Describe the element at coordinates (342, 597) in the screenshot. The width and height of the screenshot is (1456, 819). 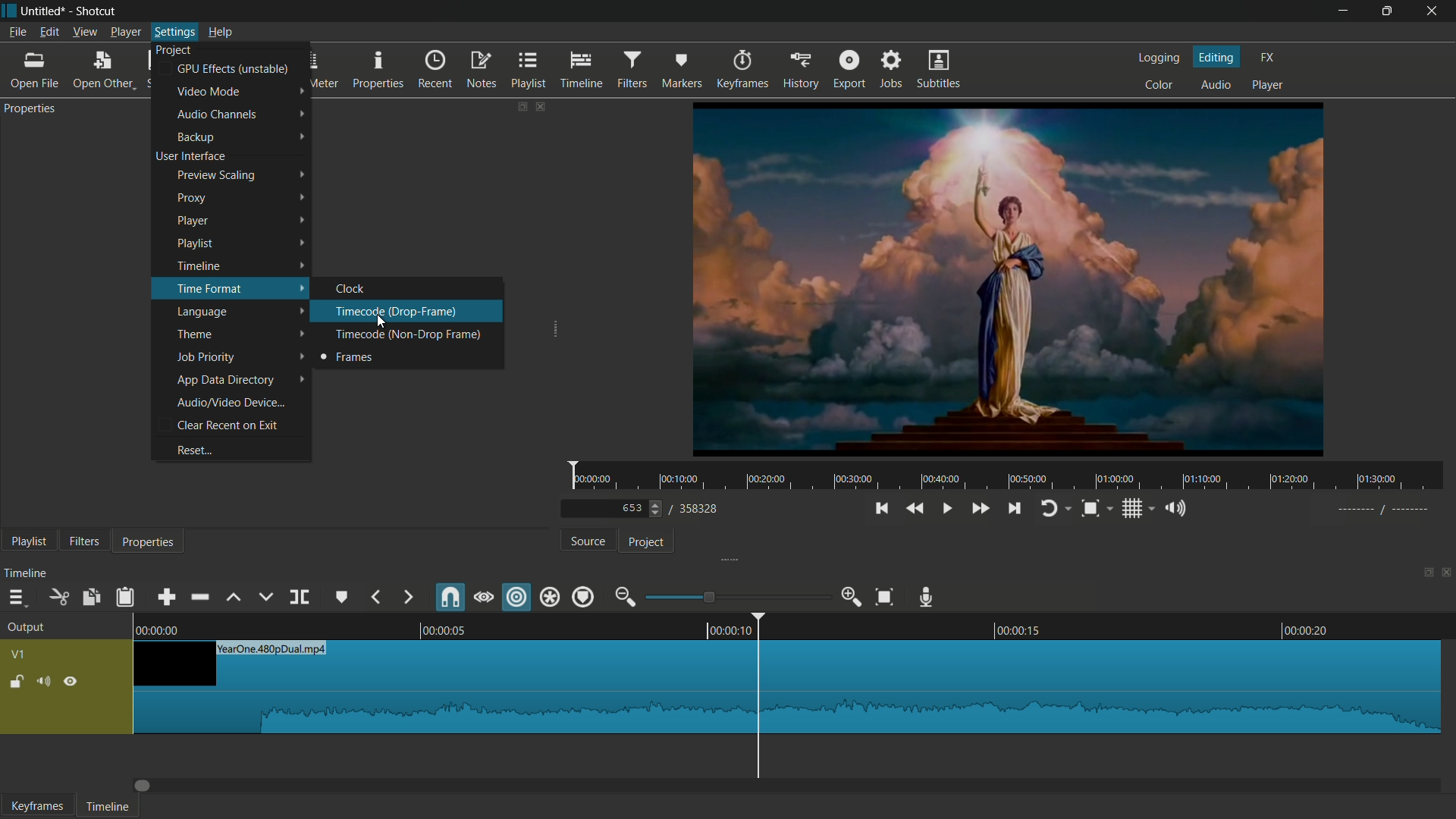
I see `create or edit marker` at that location.